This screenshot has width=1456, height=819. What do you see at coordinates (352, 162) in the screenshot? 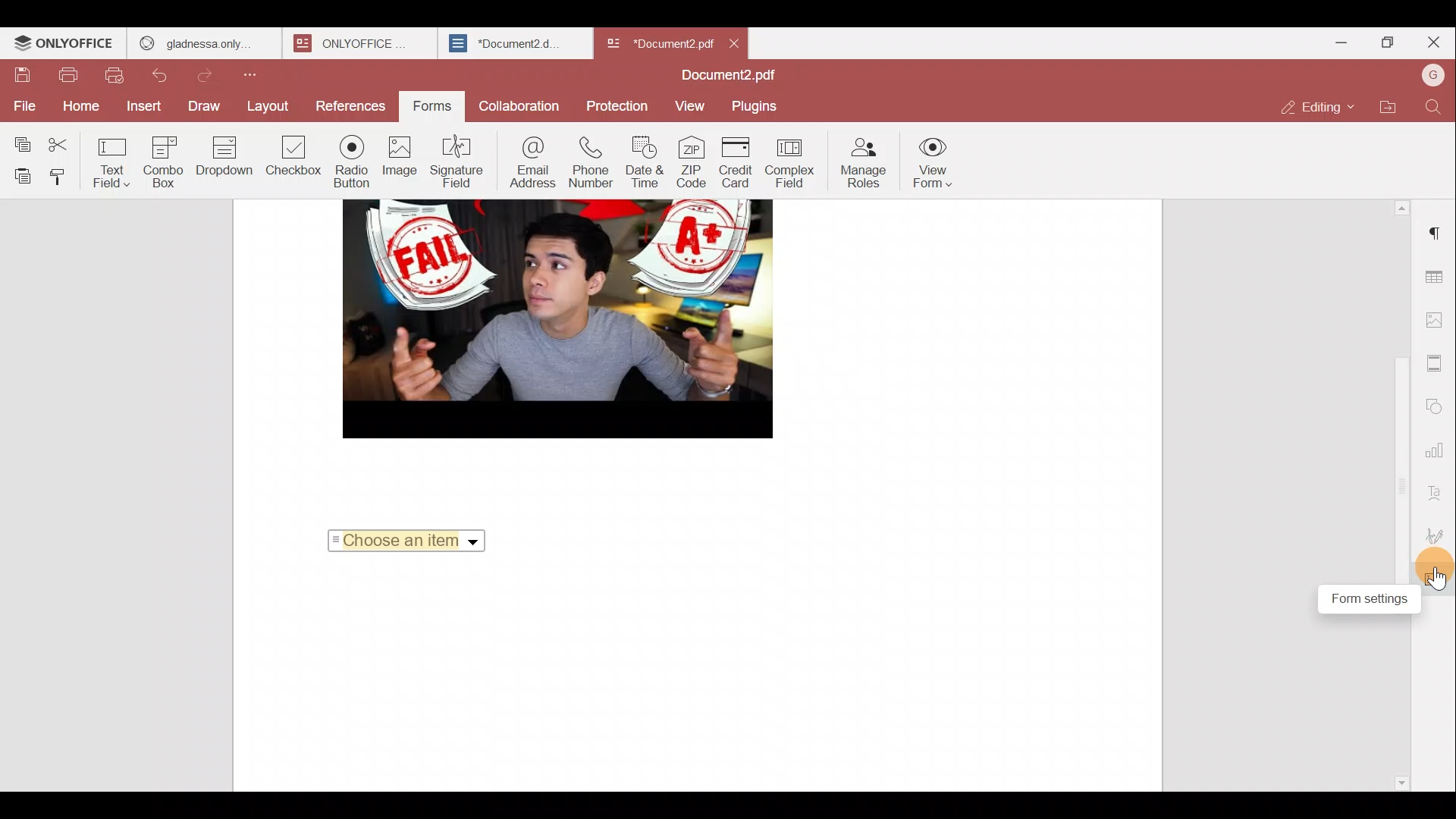
I see `Radio` at bounding box center [352, 162].